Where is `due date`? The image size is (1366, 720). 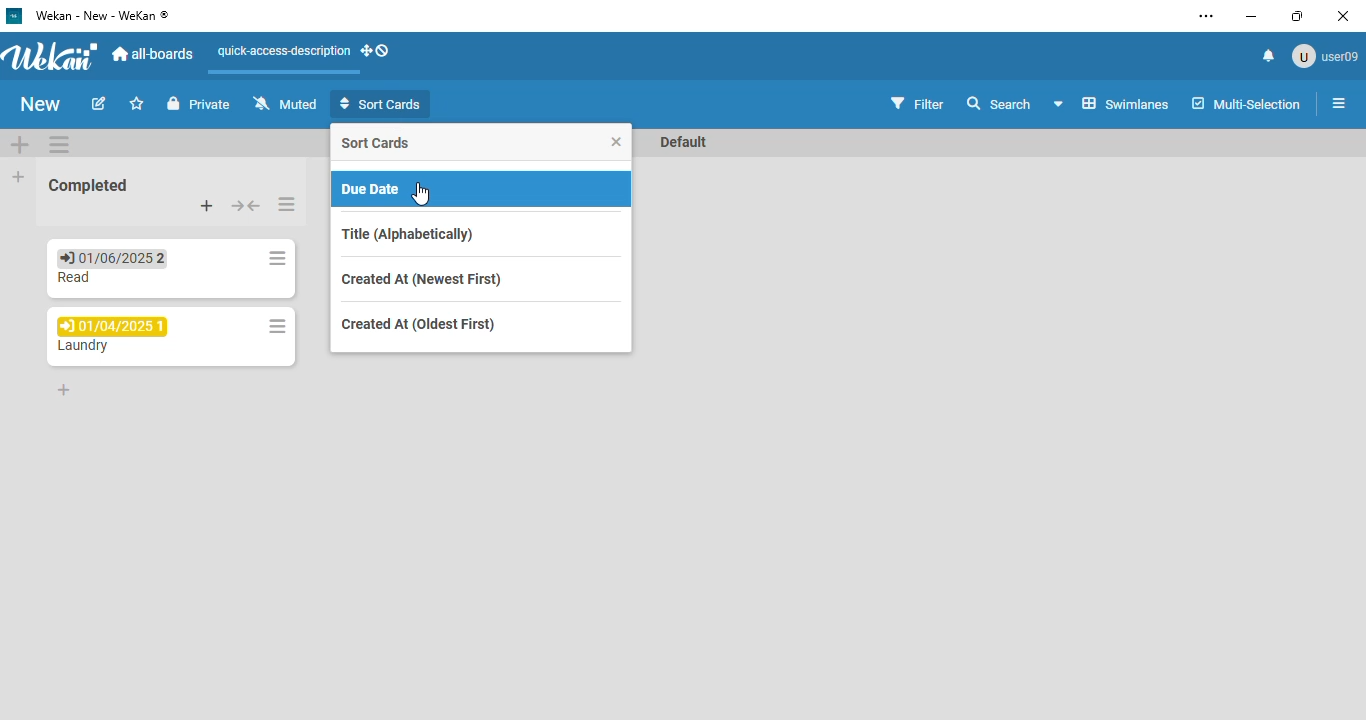
due date is located at coordinates (372, 189).